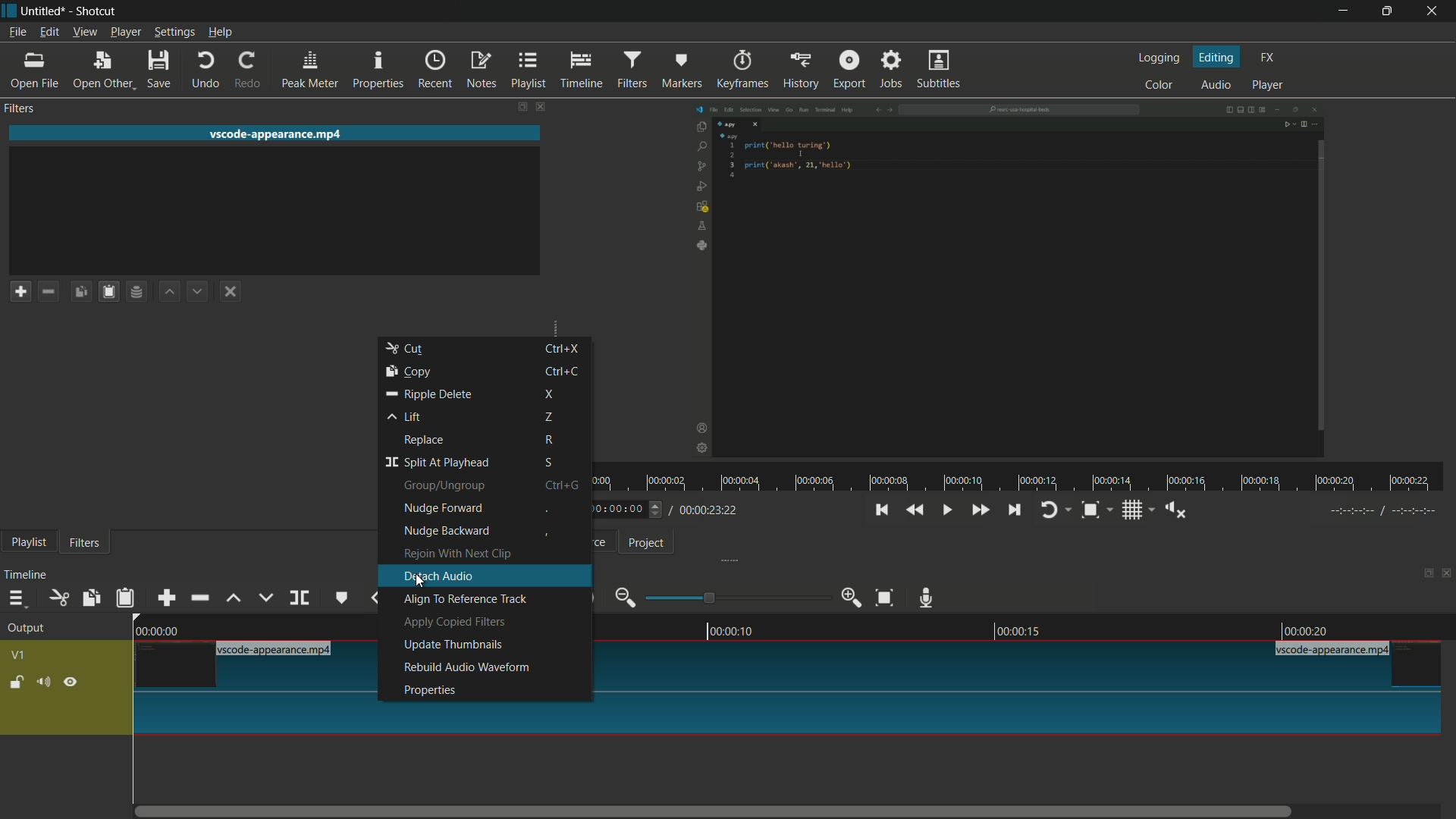 This screenshot has height=819, width=1456. I want to click on rebuild audio waveform, so click(468, 667).